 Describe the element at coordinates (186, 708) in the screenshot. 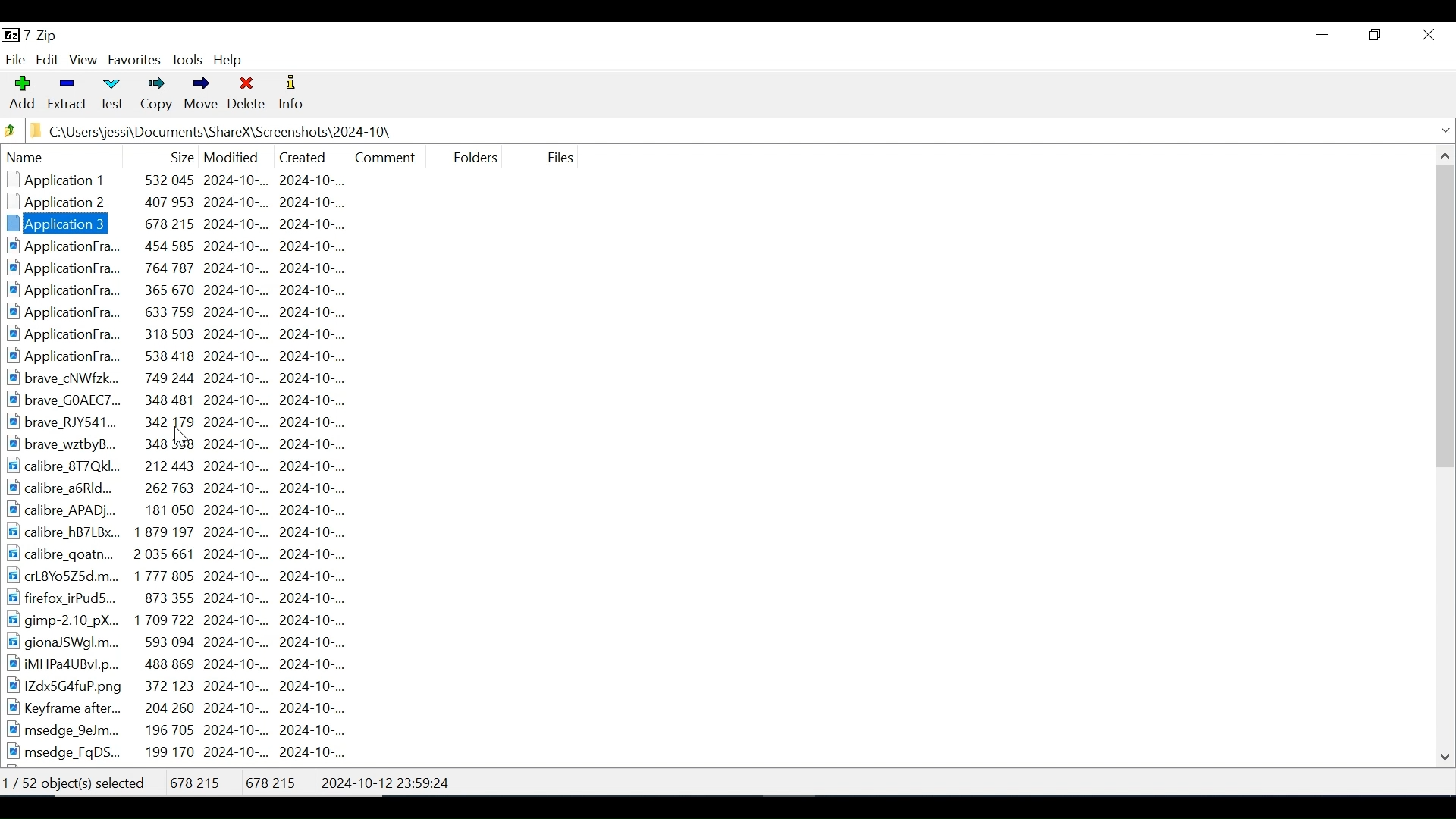

I see `Keyframe after... 204 260 2024-10-.. 2024-10-...` at that location.